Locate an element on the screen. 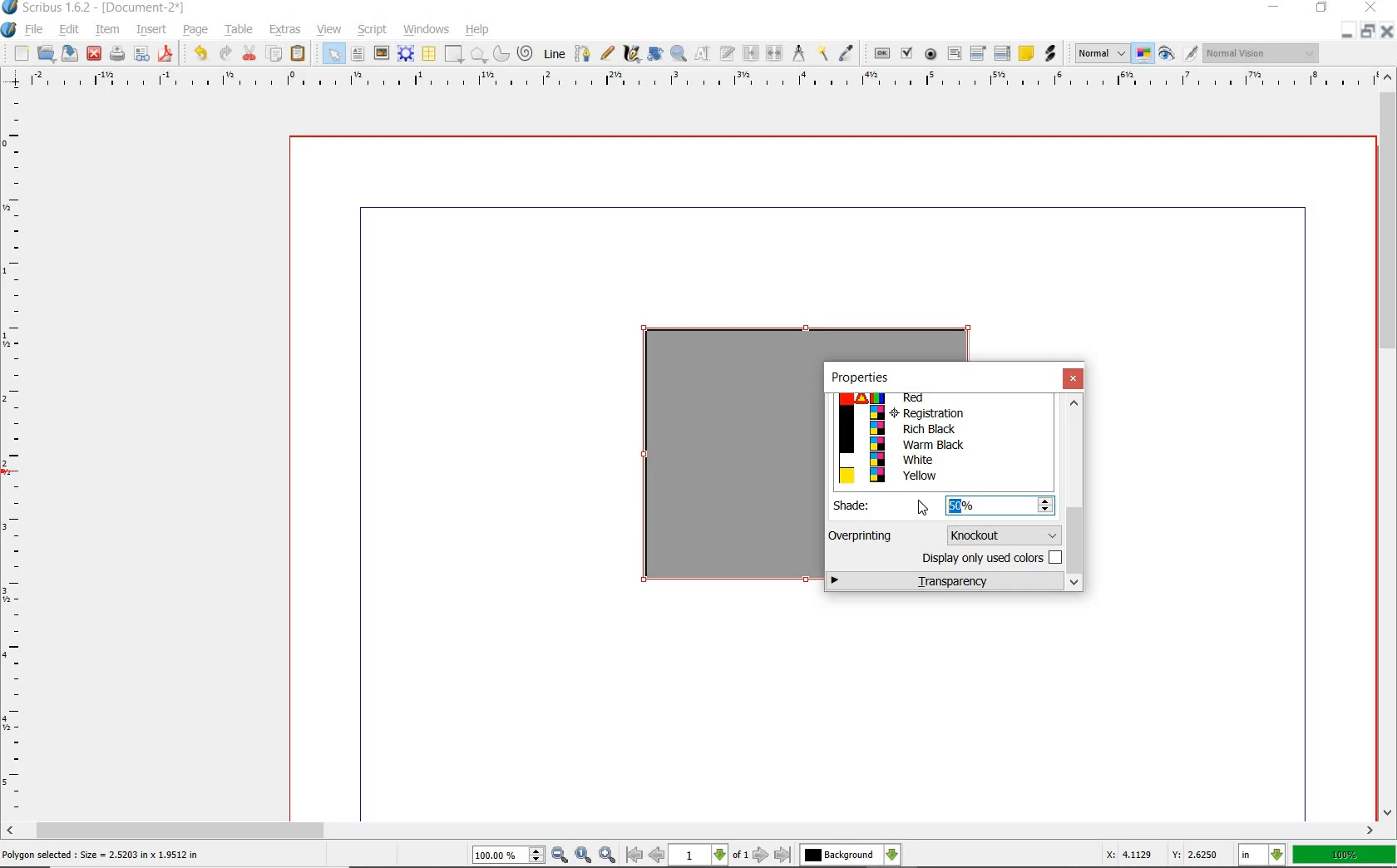  page is located at coordinates (196, 32).